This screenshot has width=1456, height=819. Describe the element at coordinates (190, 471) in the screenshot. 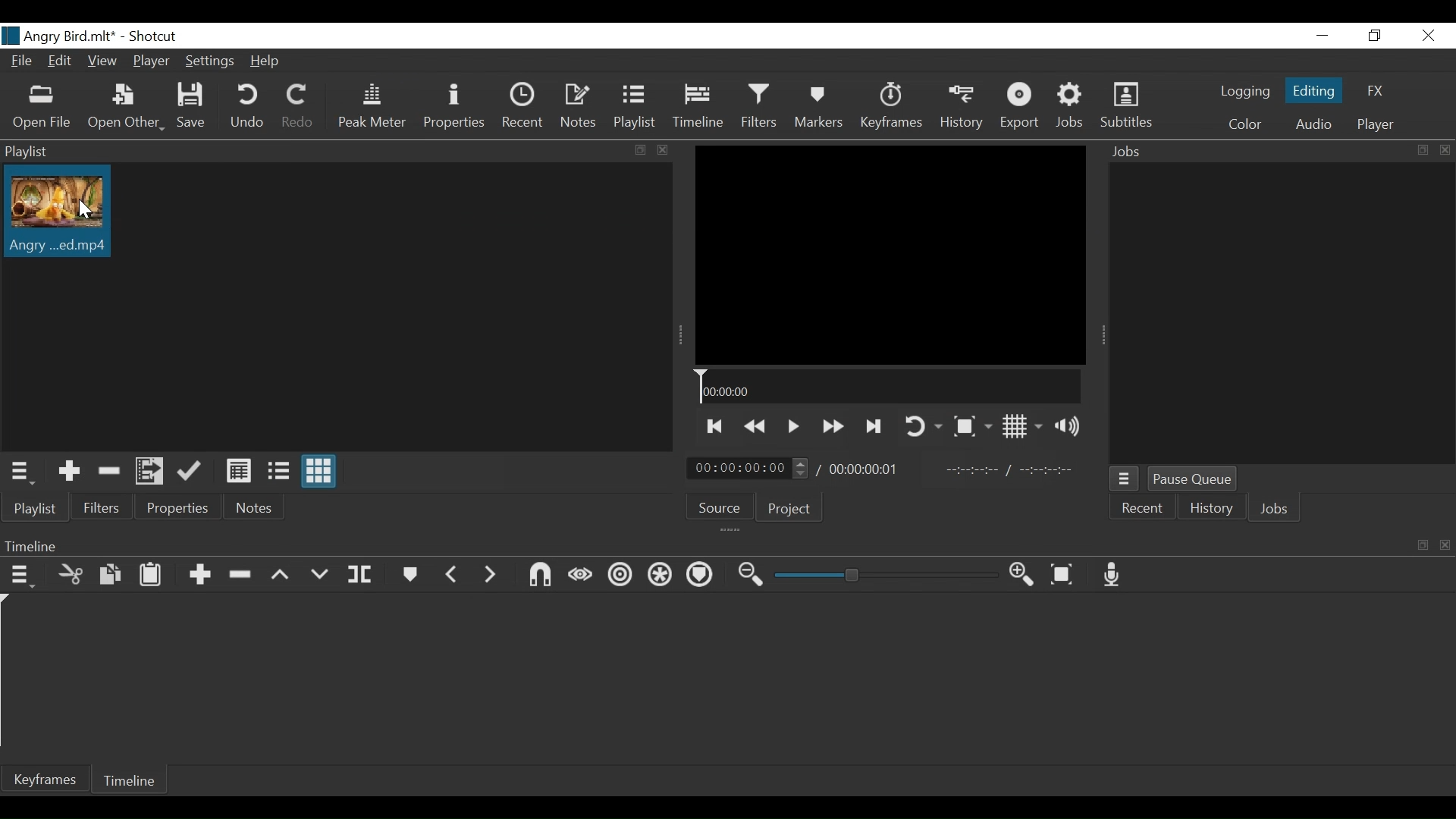

I see `Update` at that location.